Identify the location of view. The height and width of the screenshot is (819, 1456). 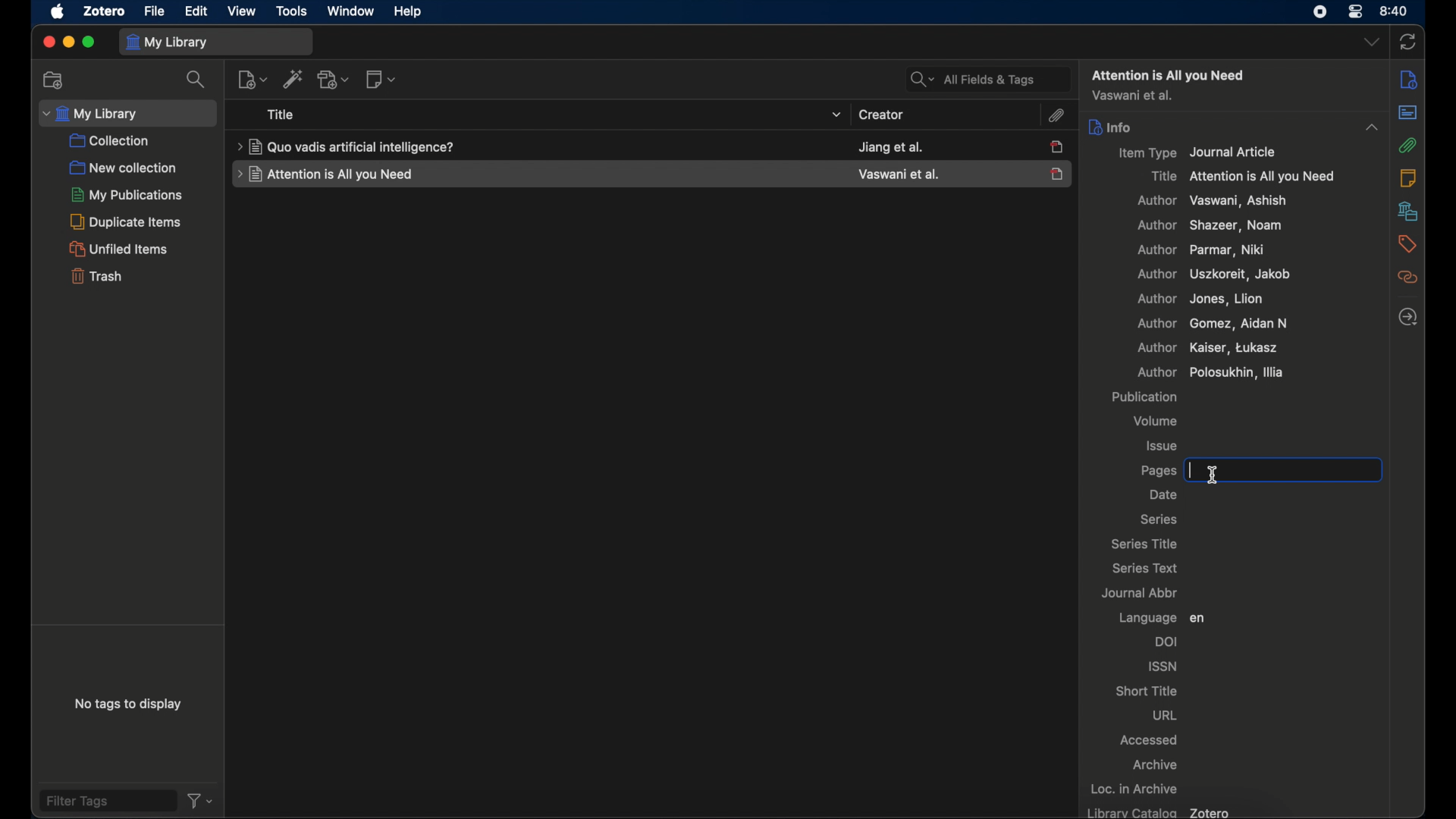
(243, 11).